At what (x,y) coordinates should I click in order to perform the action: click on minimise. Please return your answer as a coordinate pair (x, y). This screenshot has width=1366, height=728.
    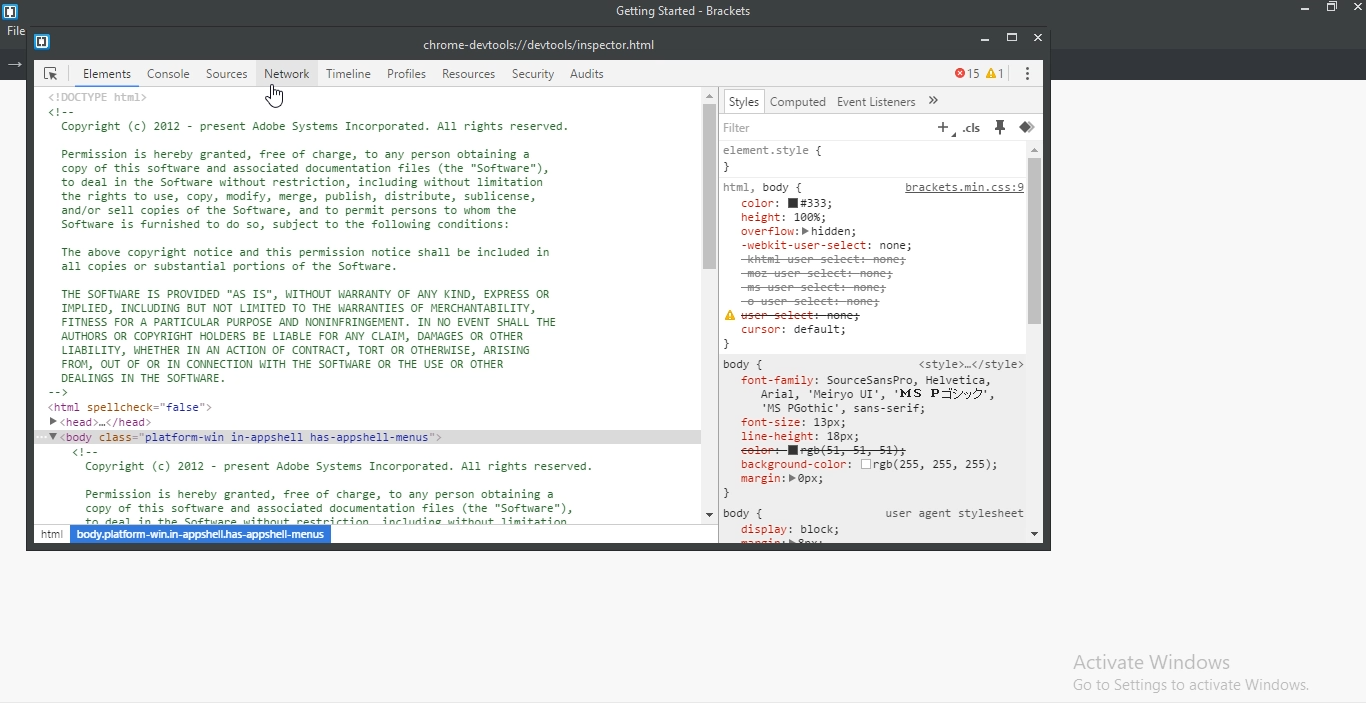
    Looking at the image, I should click on (1298, 11).